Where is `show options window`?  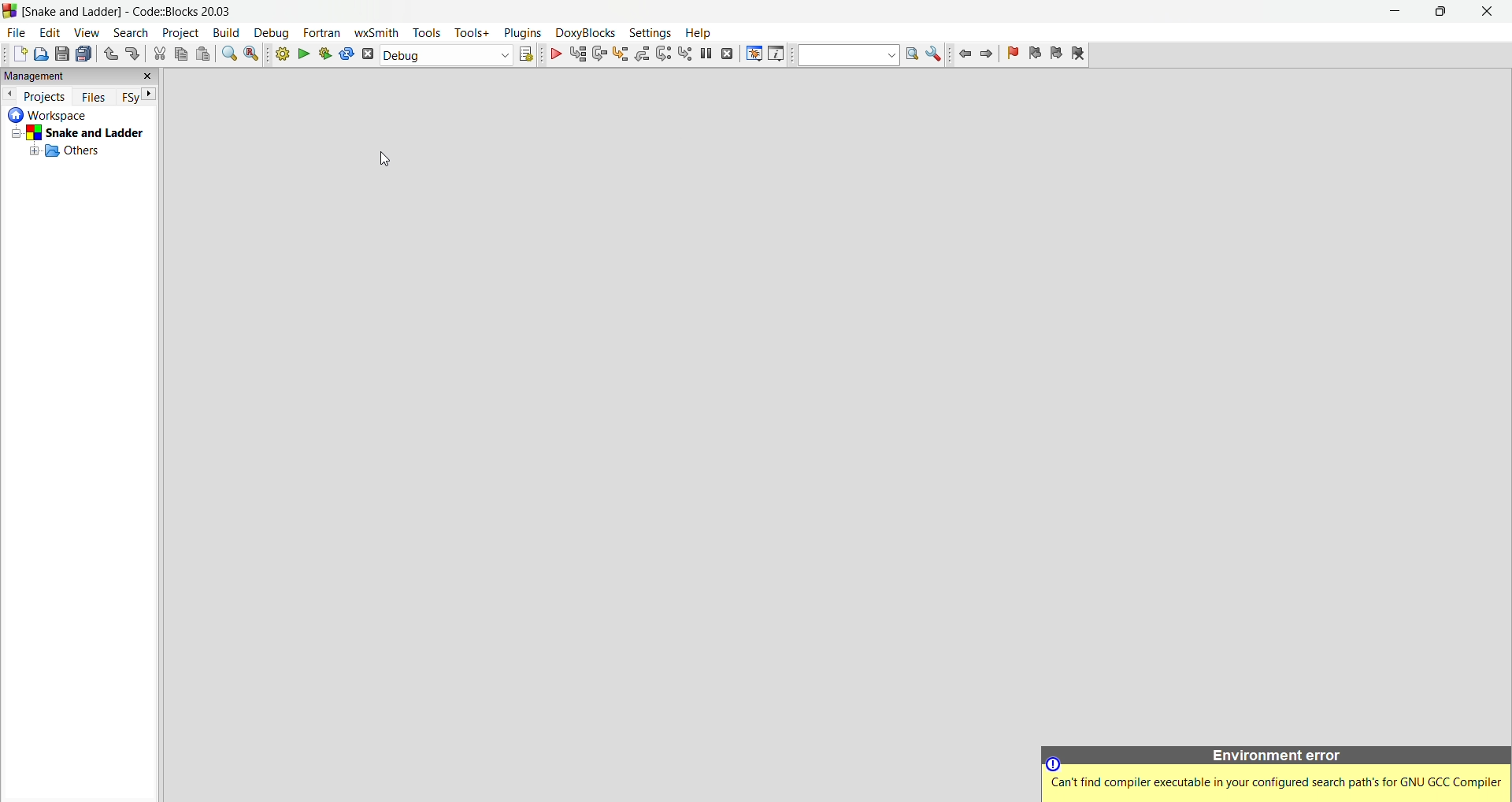 show options window is located at coordinates (935, 56).